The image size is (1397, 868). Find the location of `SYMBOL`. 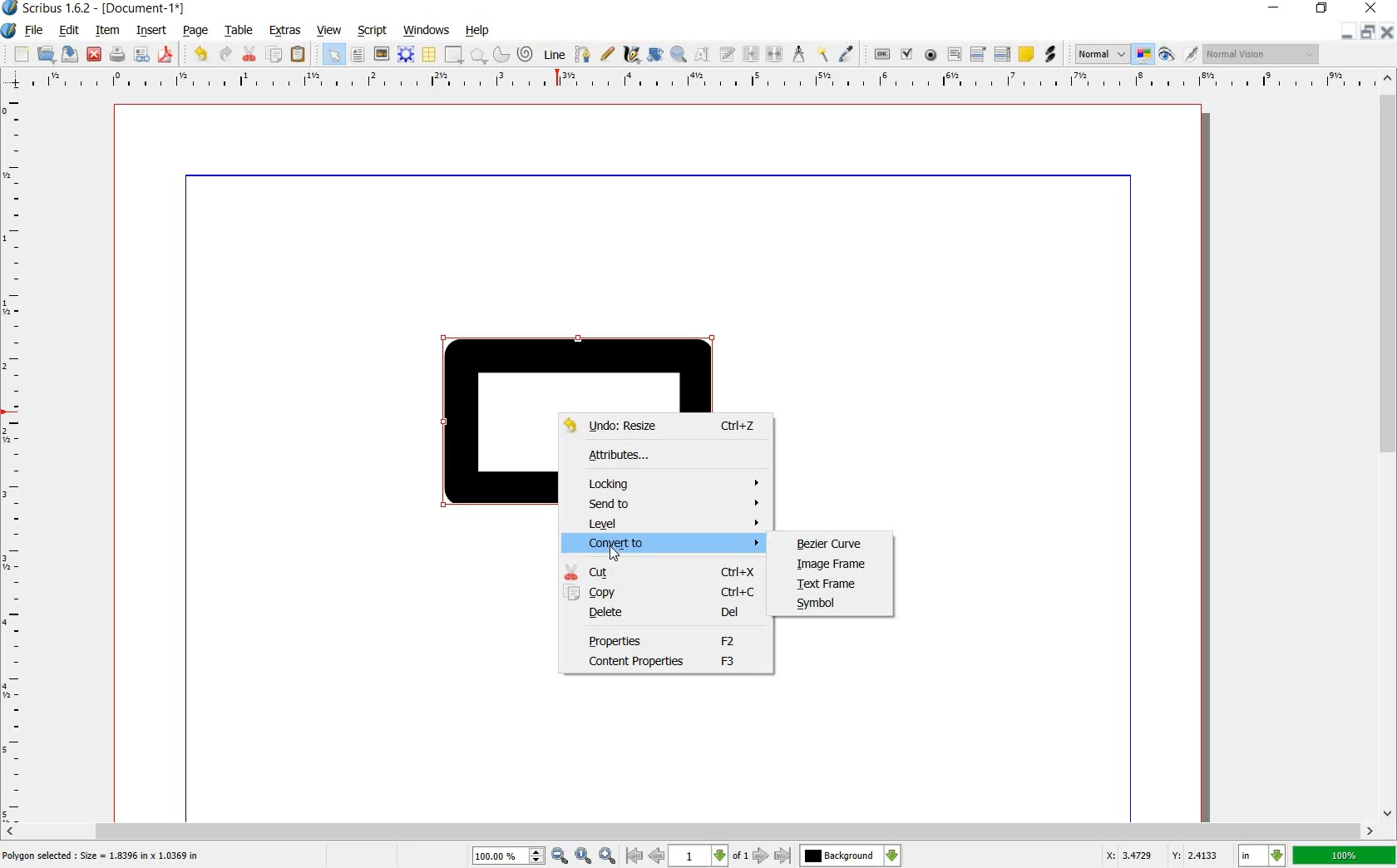

SYMBOL is located at coordinates (823, 604).